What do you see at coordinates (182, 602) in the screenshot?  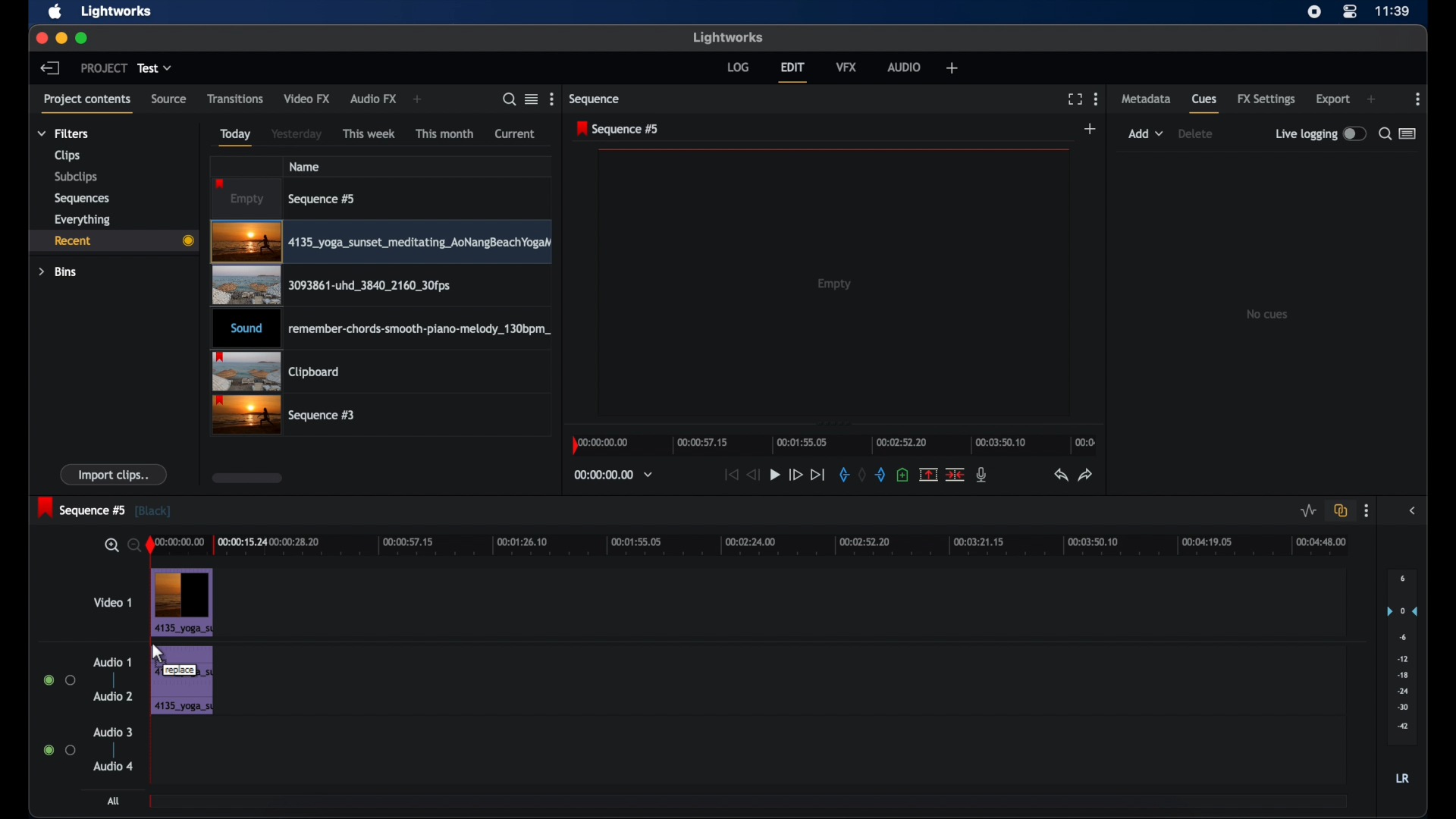 I see `video clip` at bounding box center [182, 602].